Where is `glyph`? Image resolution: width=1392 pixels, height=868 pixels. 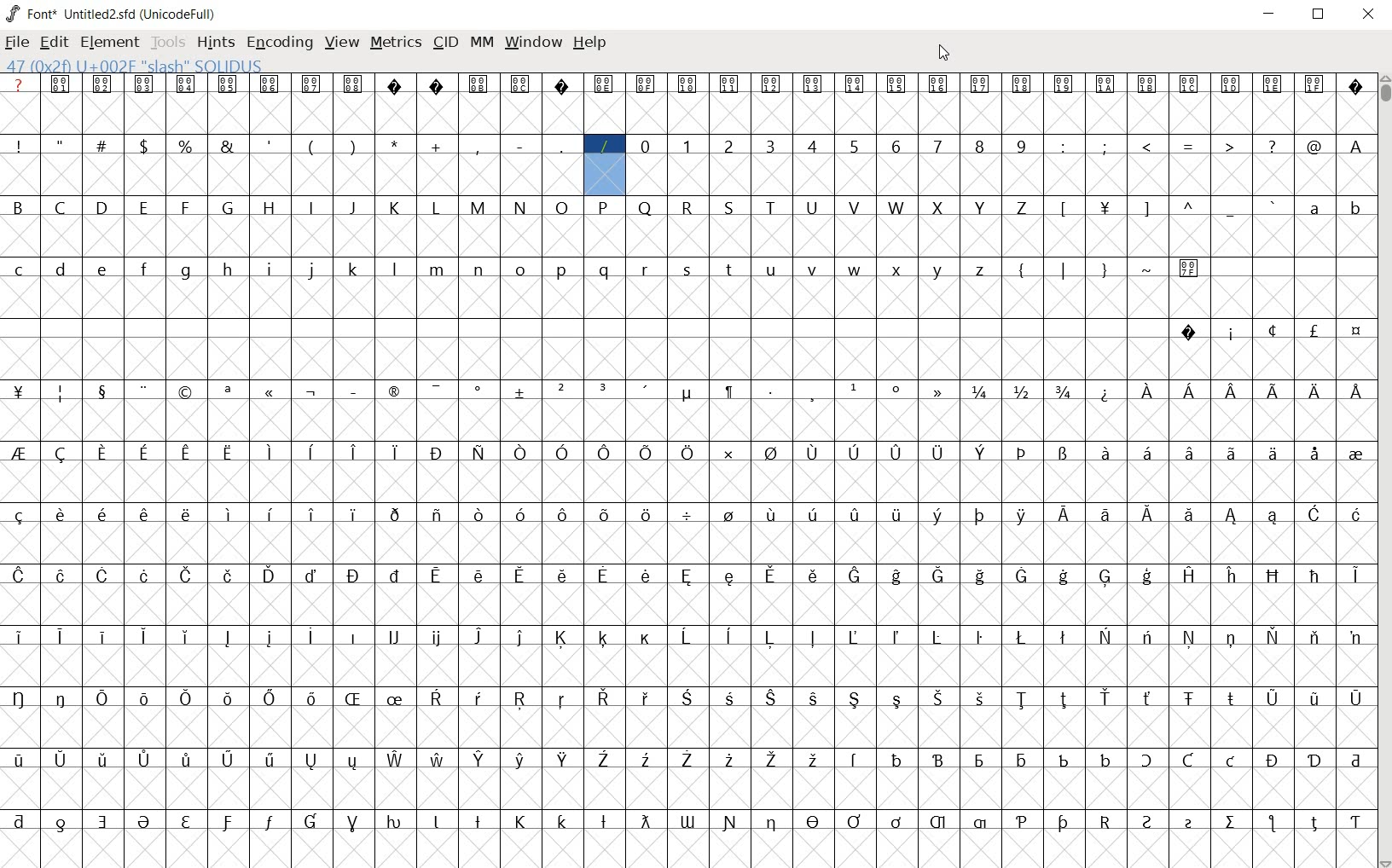 glyph is located at coordinates (564, 575).